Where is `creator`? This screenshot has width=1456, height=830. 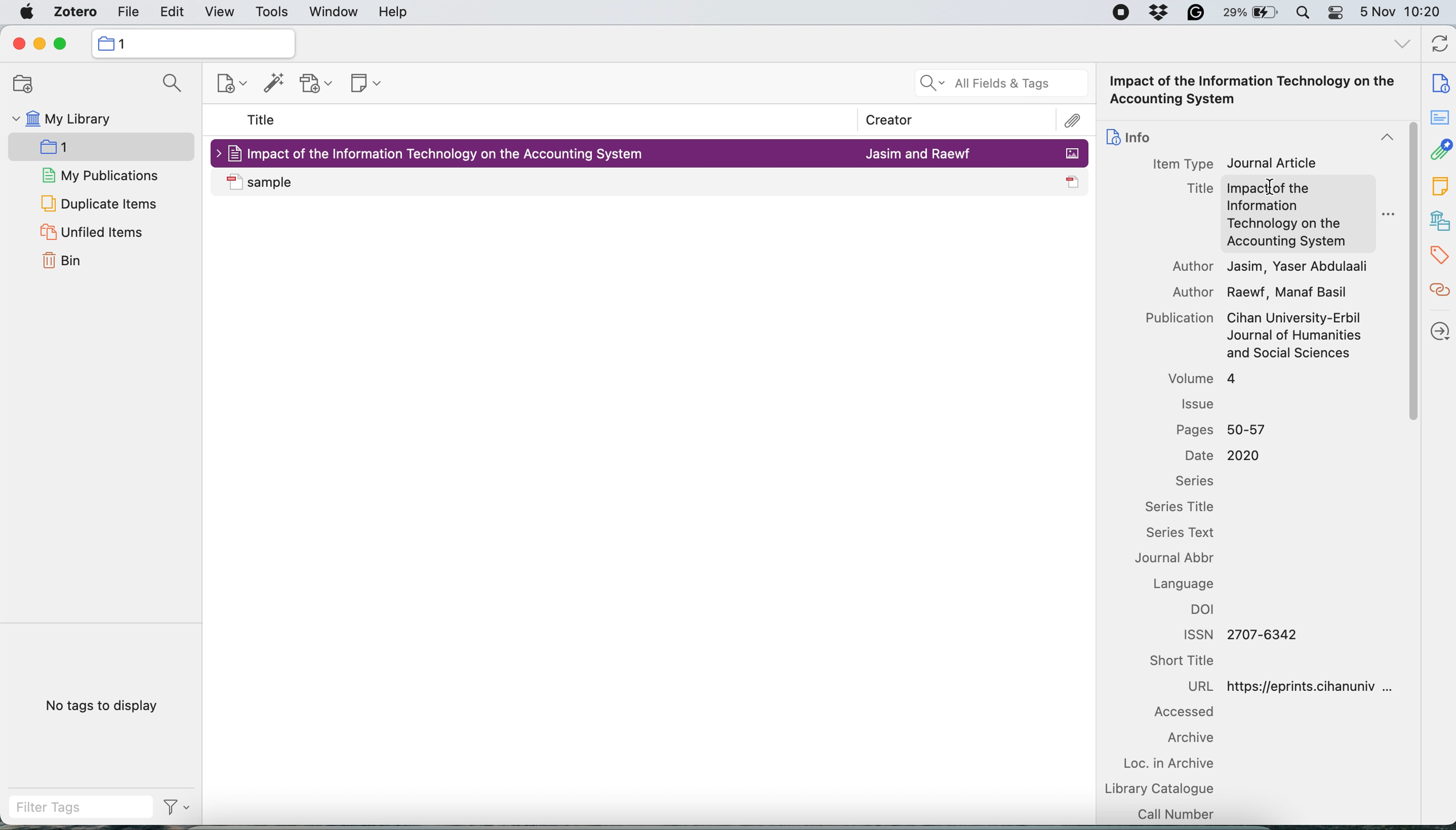
creator is located at coordinates (889, 119).